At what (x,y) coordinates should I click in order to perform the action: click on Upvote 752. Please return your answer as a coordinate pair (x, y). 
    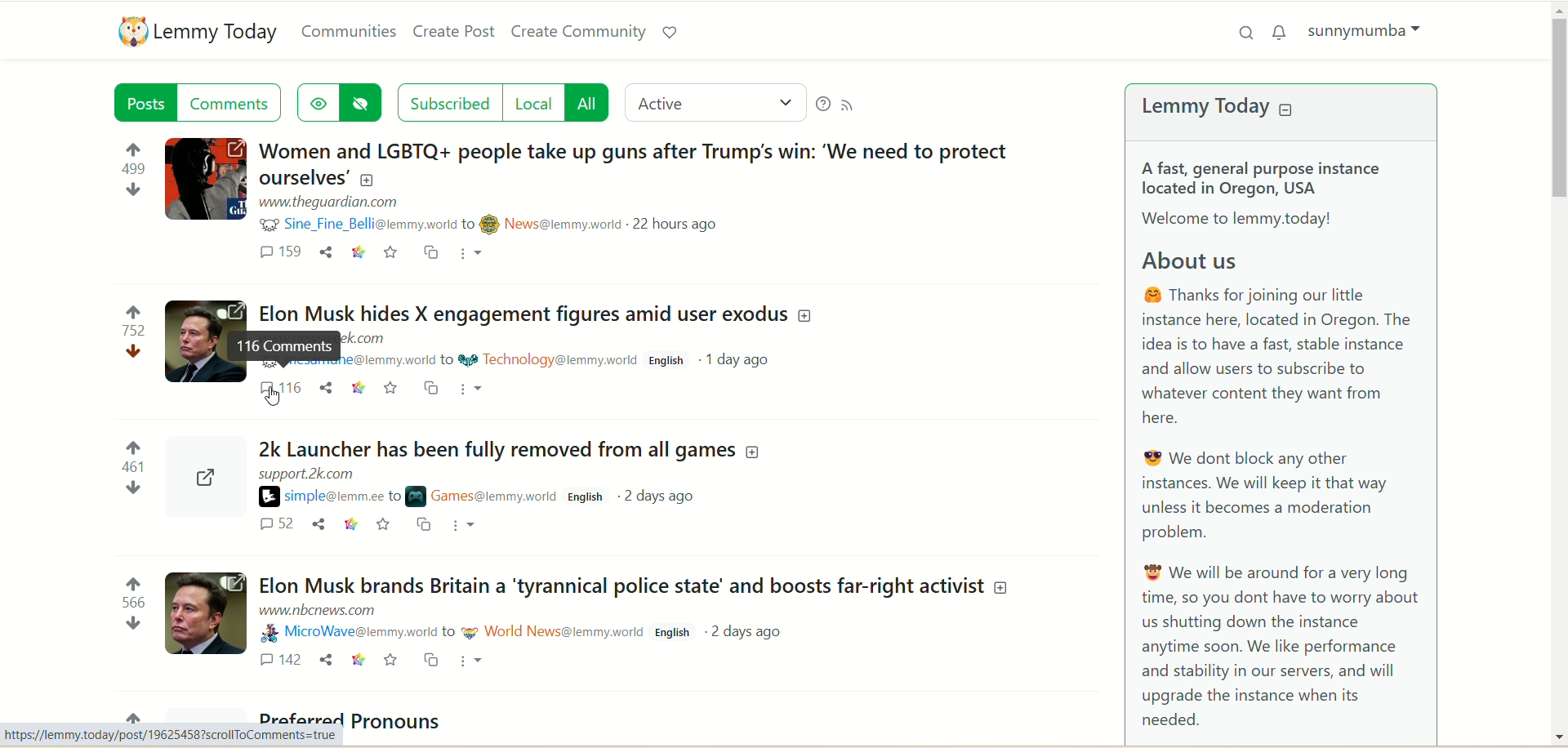
    Looking at the image, I should click on (134, 322).